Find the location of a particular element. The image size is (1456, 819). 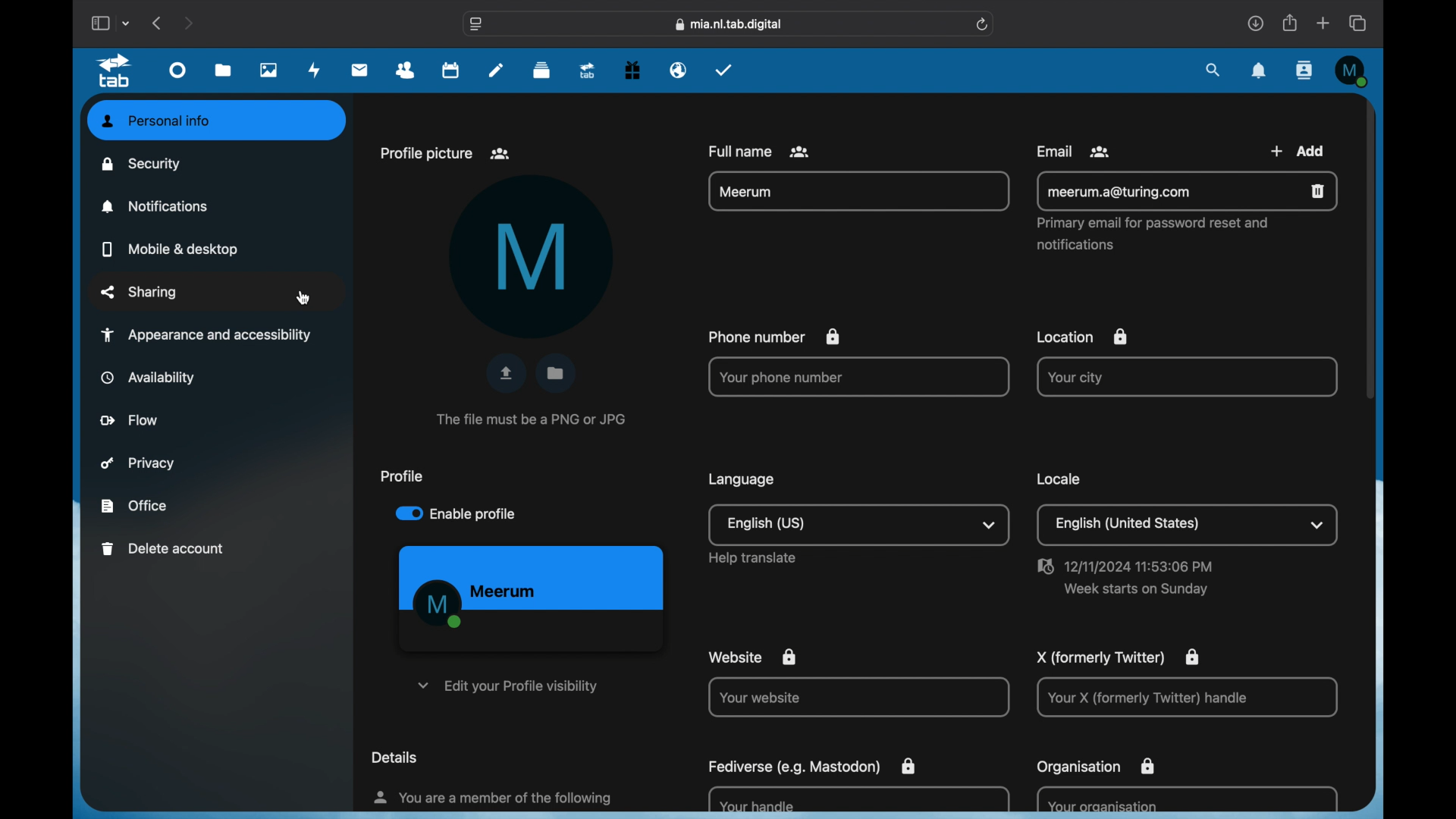

website is located at coordinates (772, 660).